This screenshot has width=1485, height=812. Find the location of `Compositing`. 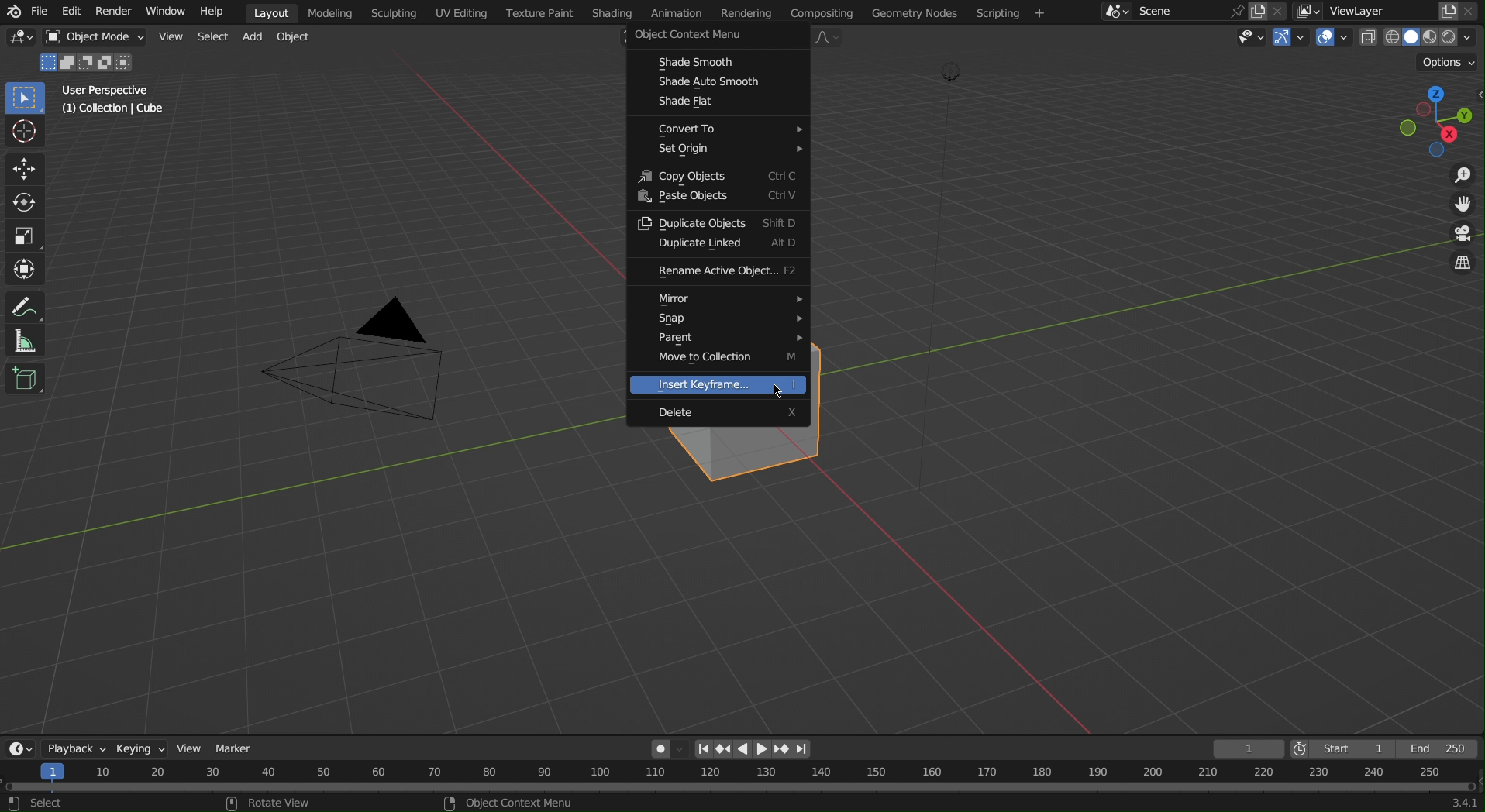

Compositing is located at coordinates (824, 12).